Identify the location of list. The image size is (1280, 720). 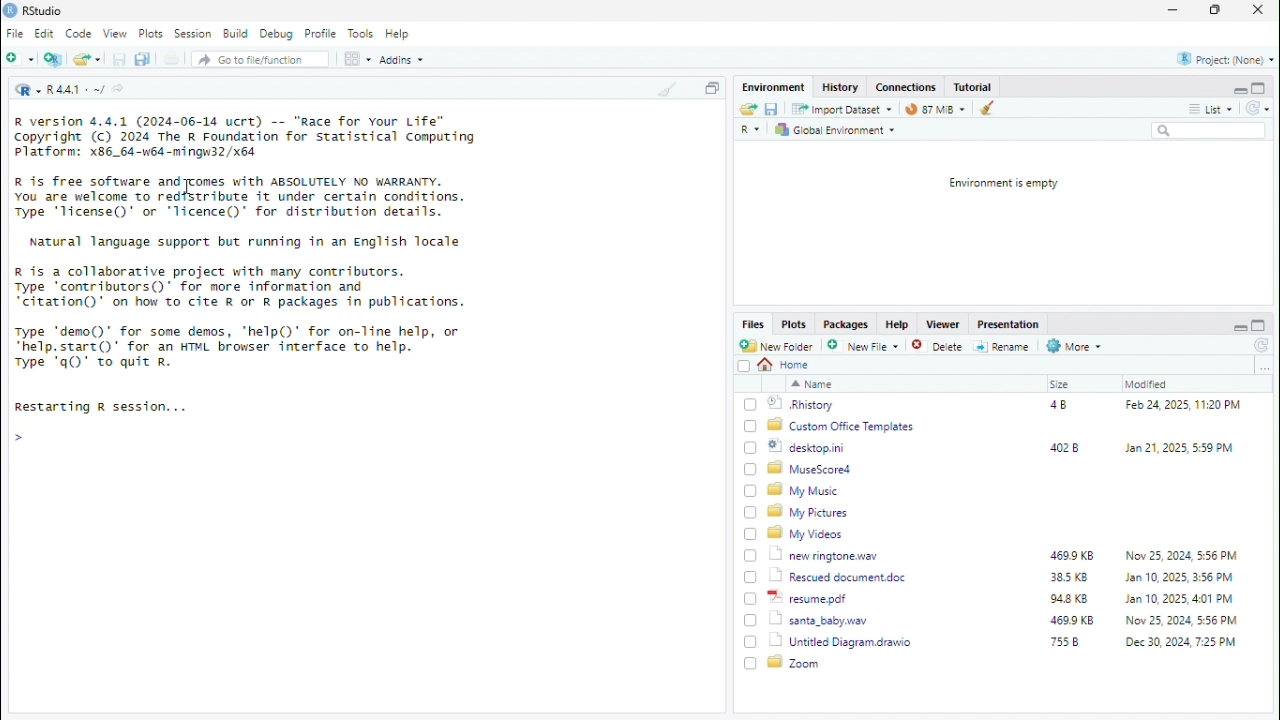
(1222, 108).